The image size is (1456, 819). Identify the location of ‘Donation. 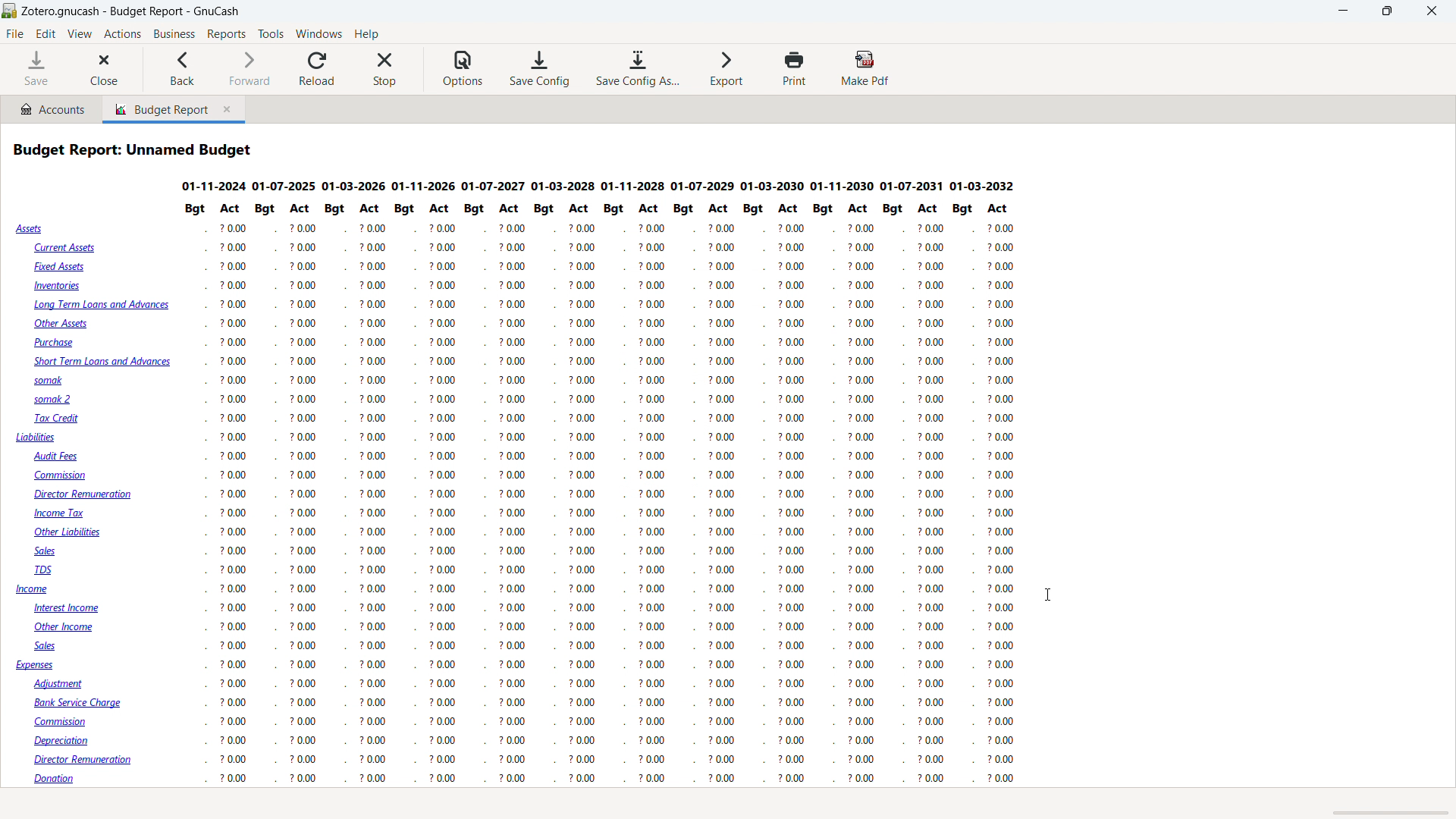
(65, 780).